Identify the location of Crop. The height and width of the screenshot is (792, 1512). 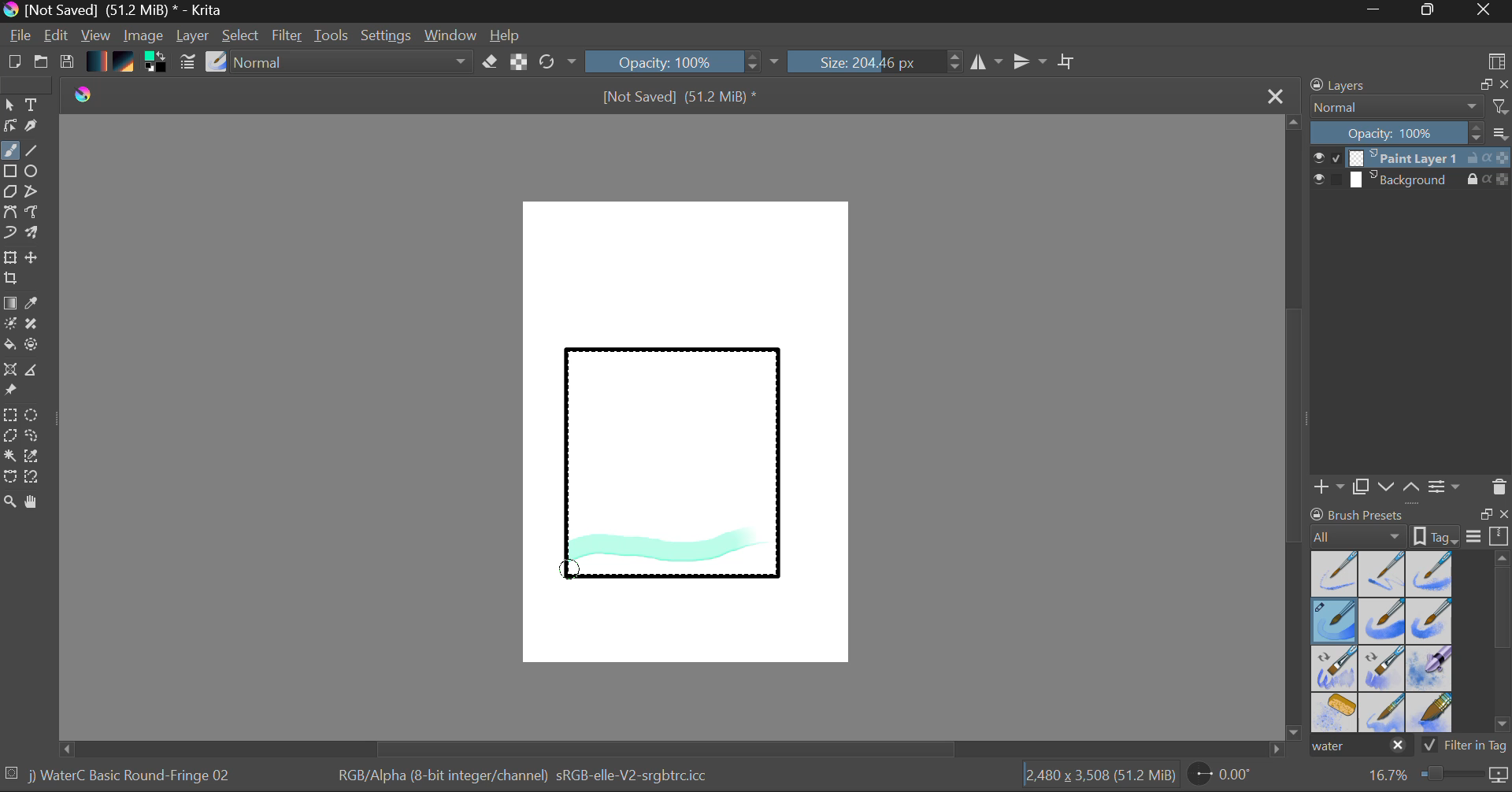
(1069, 61).